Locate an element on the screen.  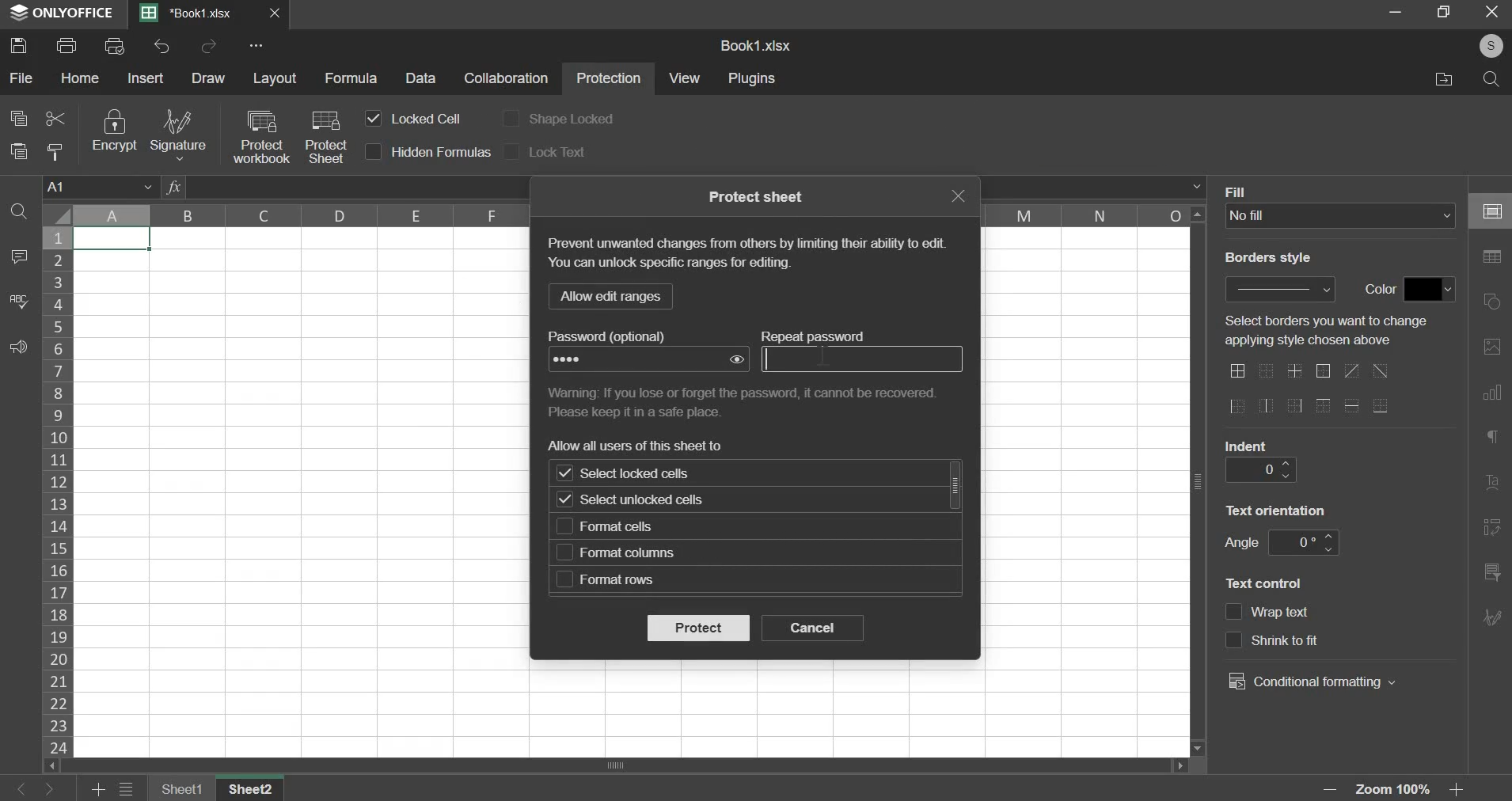
right is located at coordinates (48, 790).